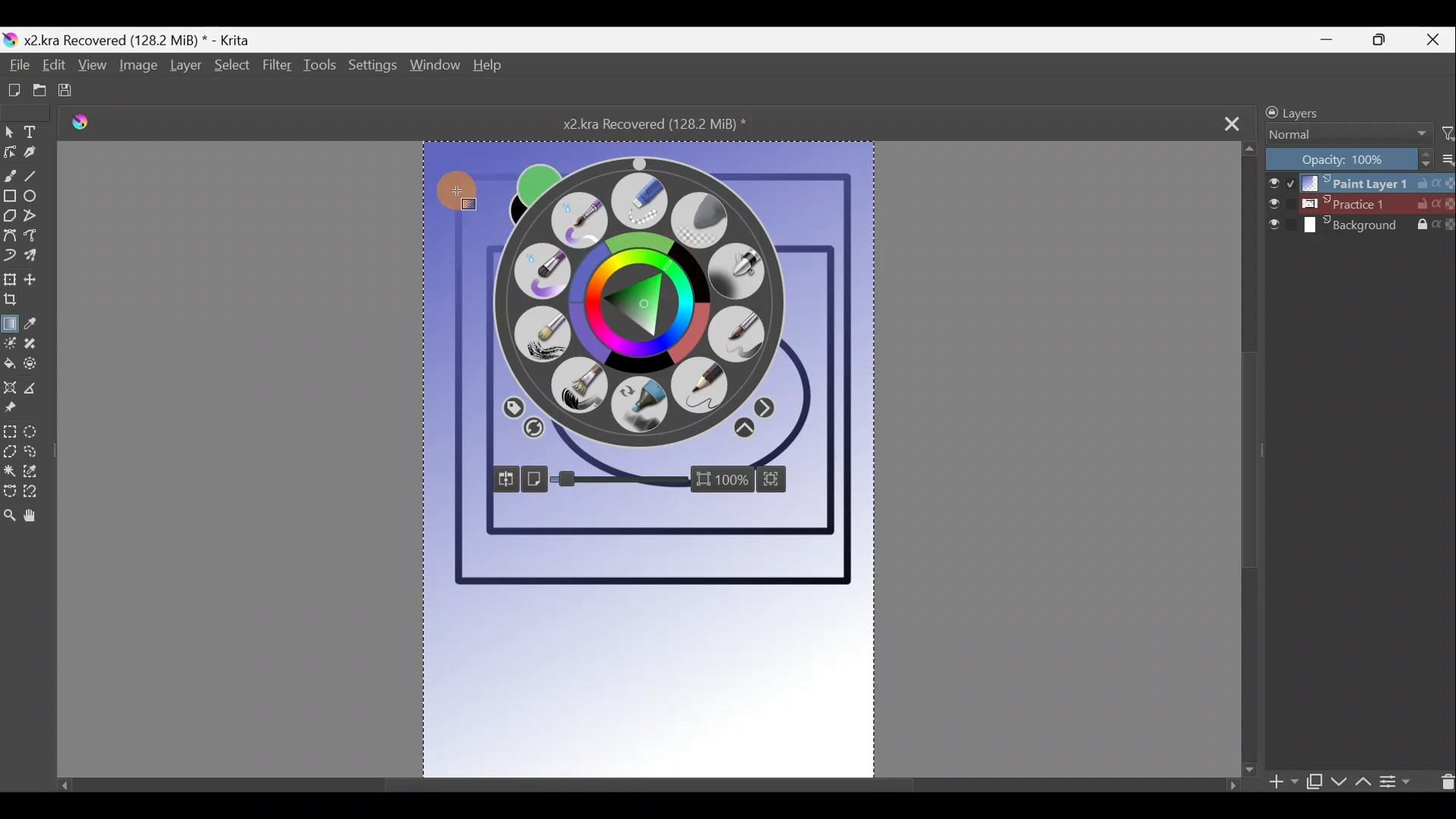 The height and width of the screenshot is (819, 1456). I want to click on Line tool, so click(34, 178).